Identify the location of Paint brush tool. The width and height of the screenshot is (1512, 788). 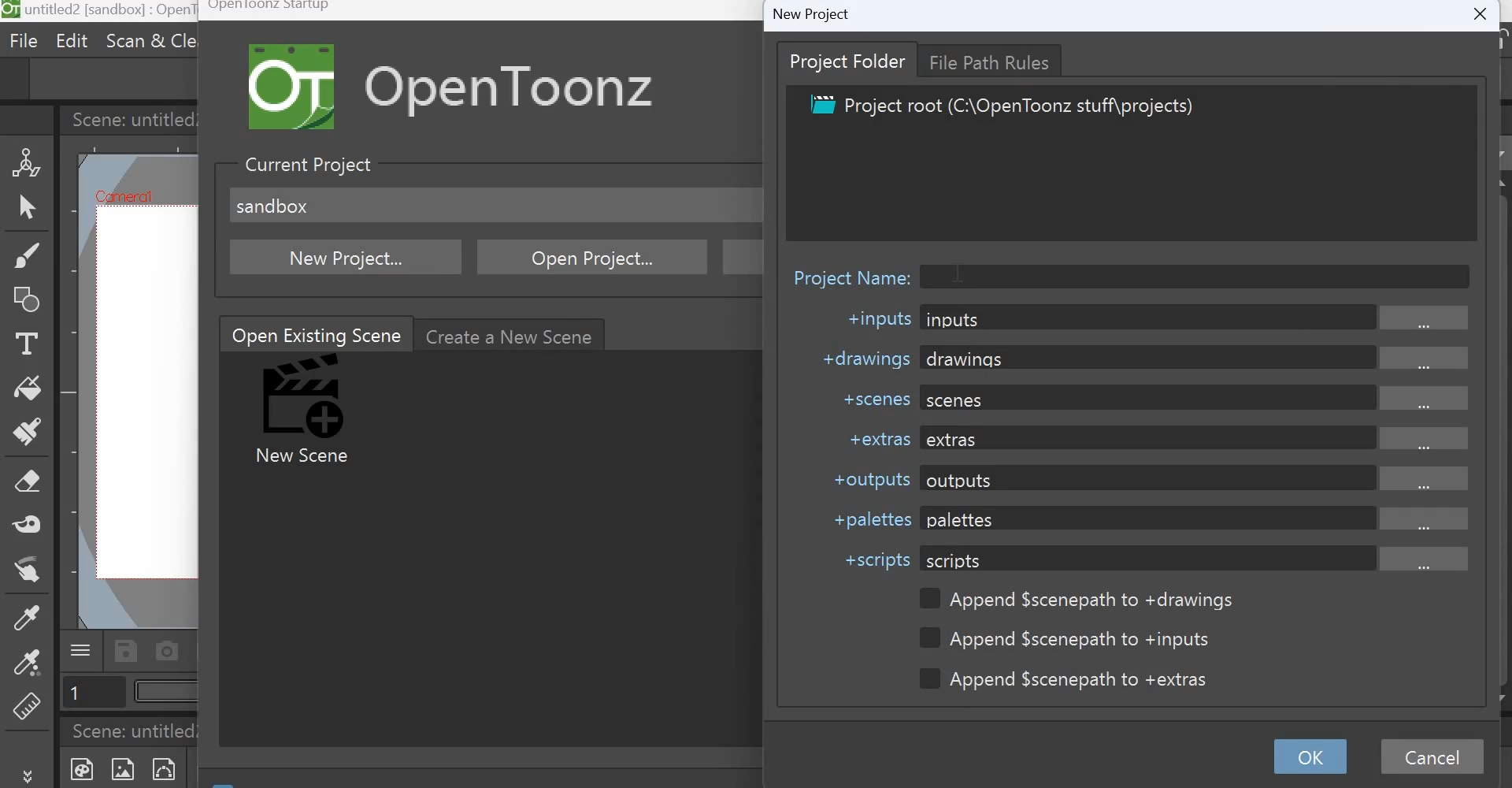
(28, 433).